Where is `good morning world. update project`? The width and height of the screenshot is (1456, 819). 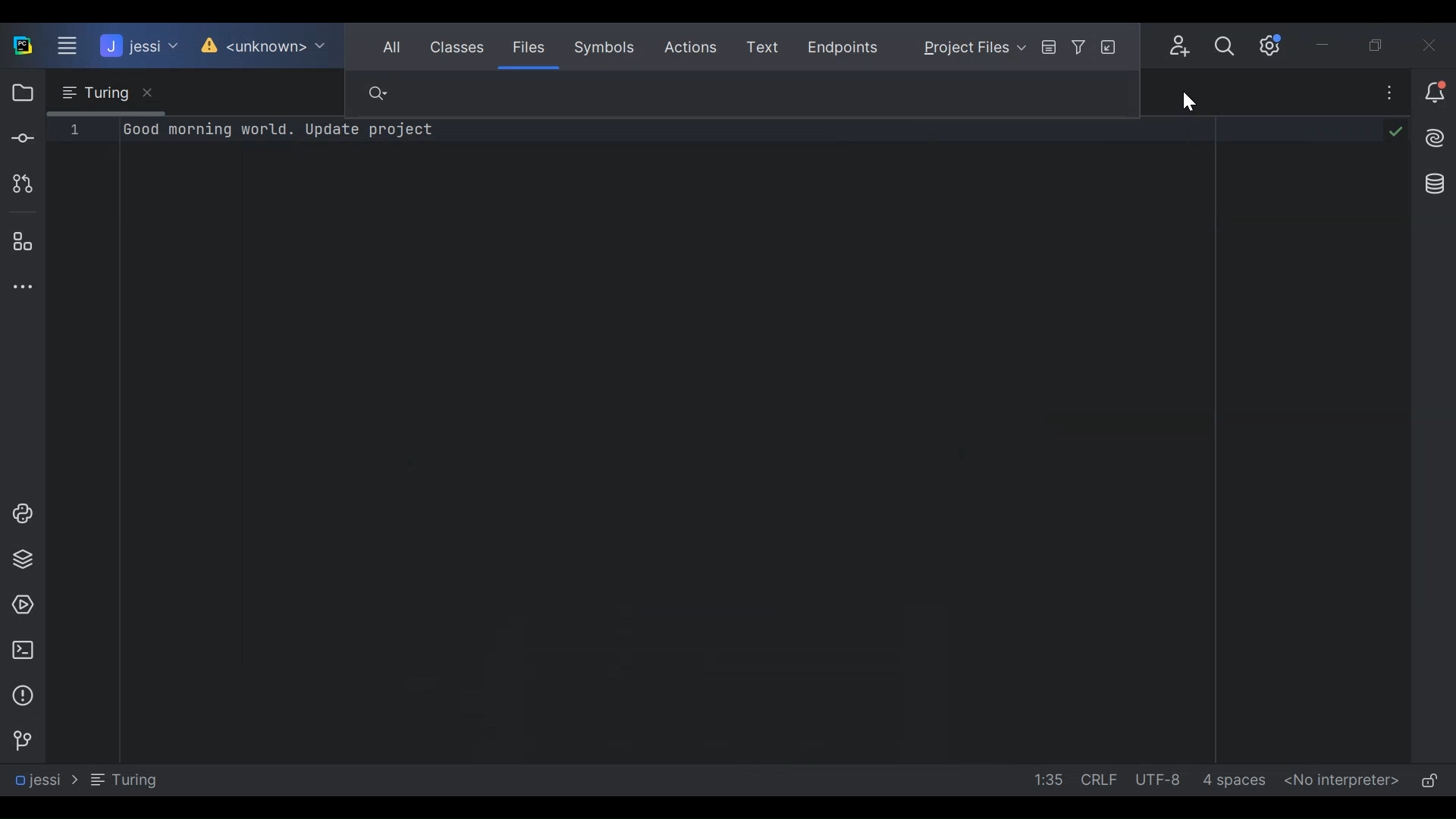 good morning world. update project is located at coordinates (278, 132).